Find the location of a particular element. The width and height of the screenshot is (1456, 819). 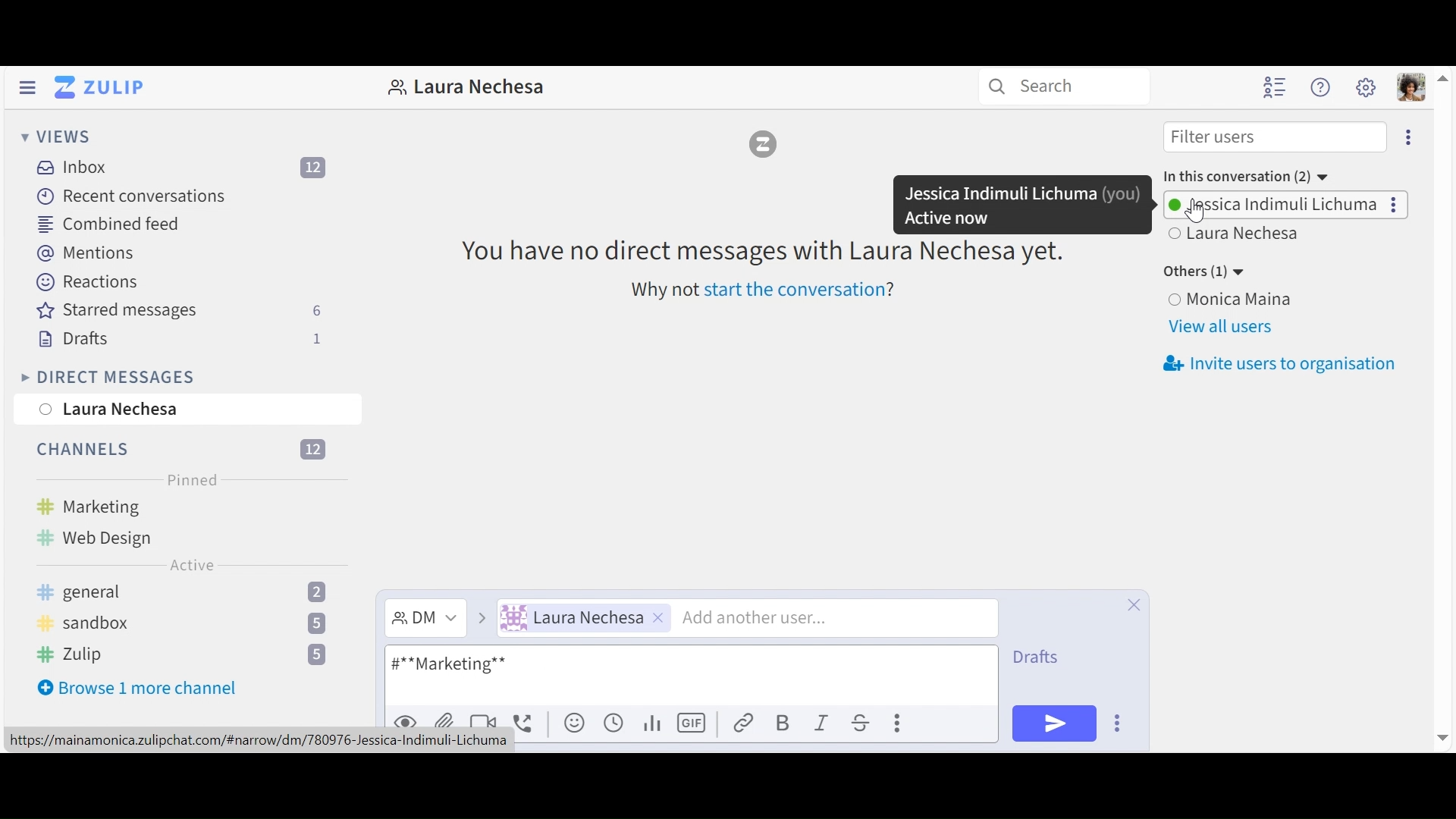

Go to Home View (inbox) is located at coordinates (101, 88).